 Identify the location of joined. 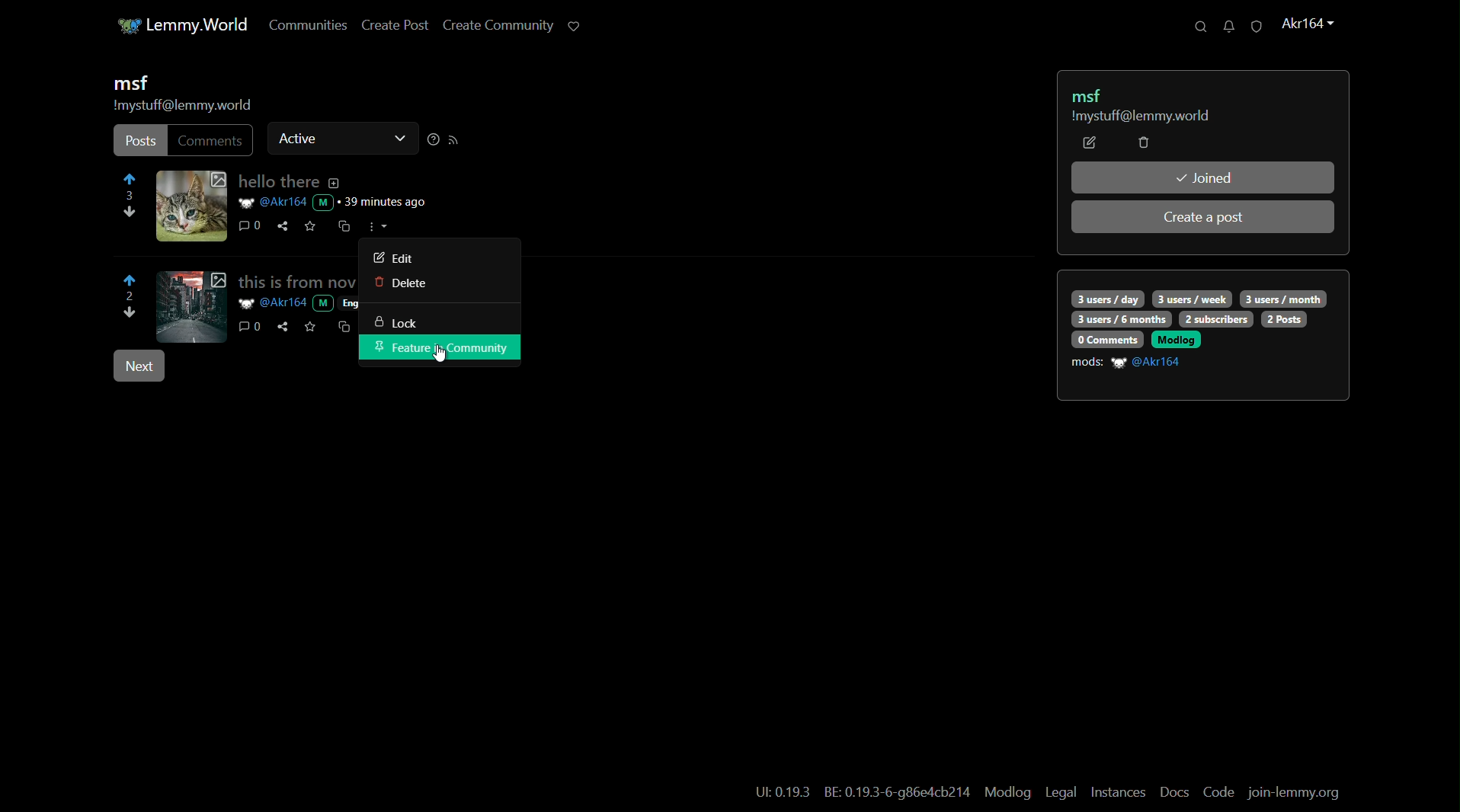
(1203, 177).